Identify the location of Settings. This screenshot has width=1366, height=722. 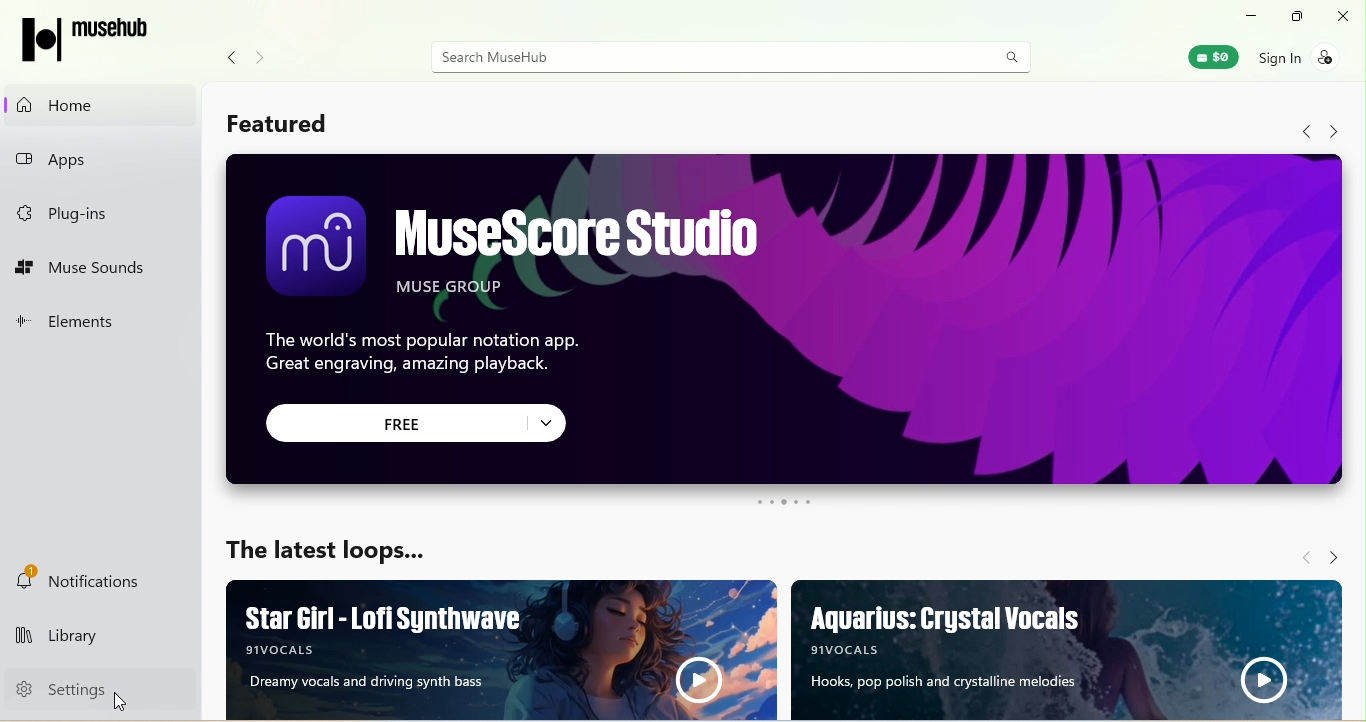
(56, 688).